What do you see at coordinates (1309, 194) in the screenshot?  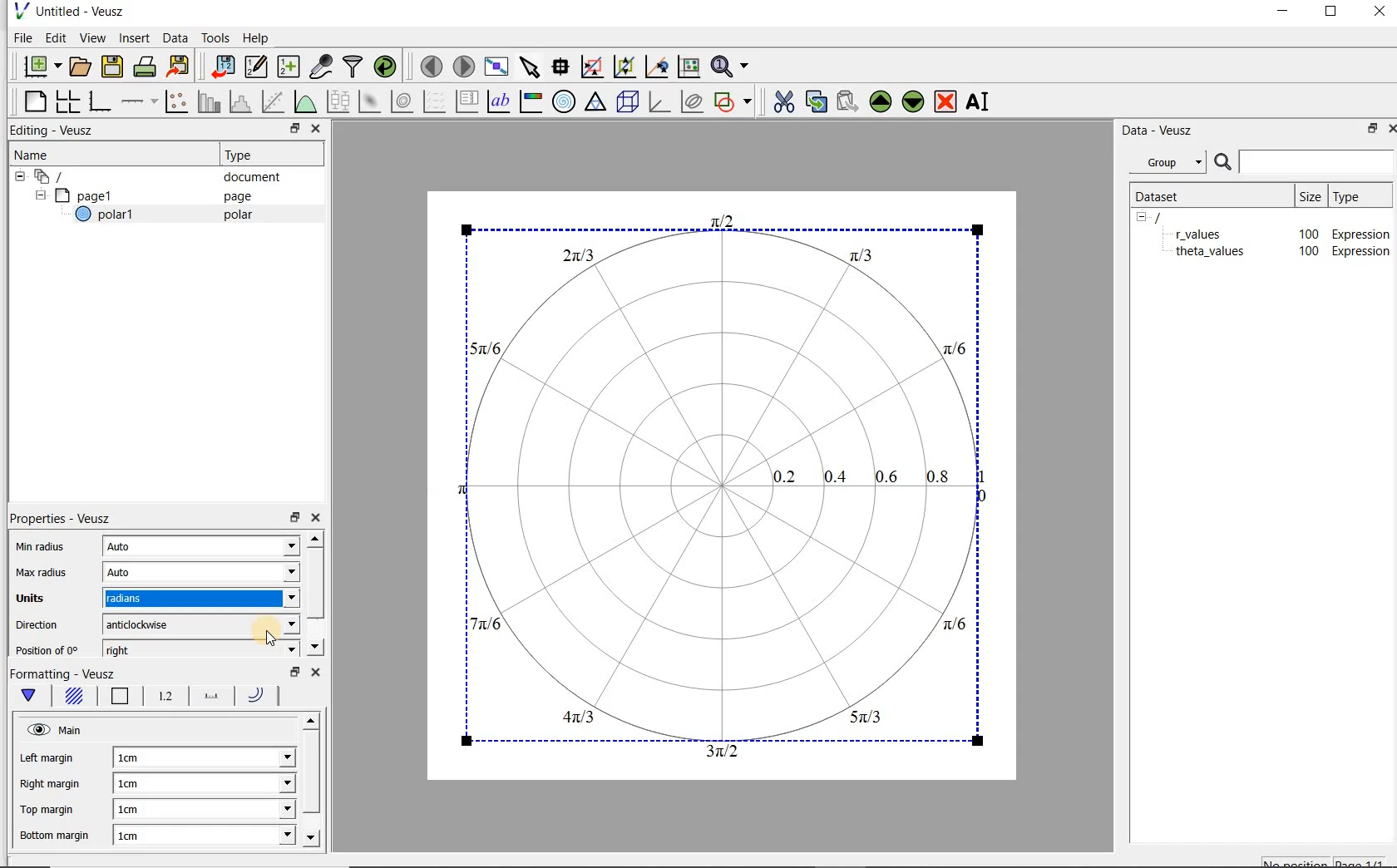 I see `size` at bounding box center [1309, 194].